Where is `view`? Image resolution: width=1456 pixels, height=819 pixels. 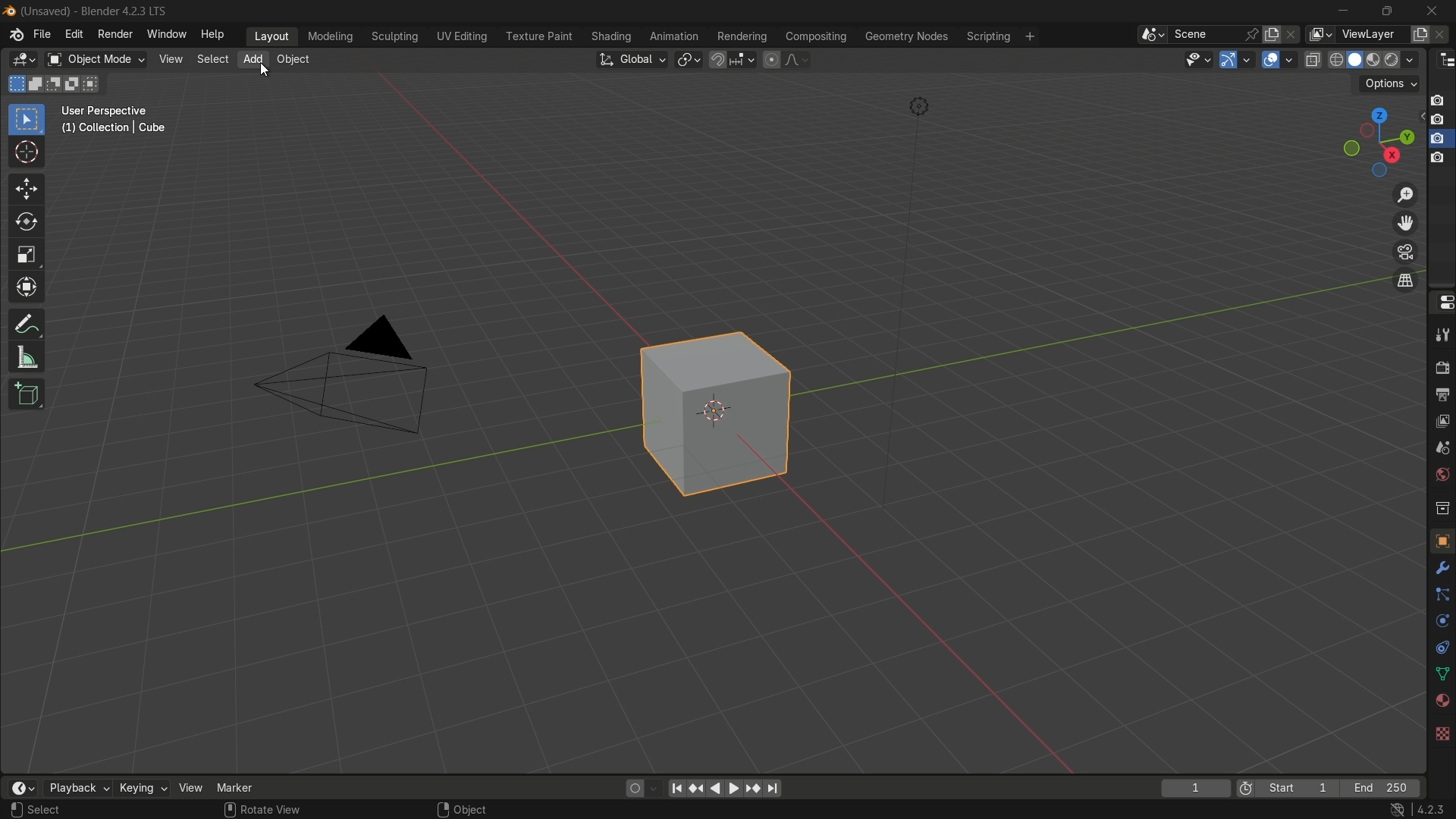 view is located at coordinates (190, 788).